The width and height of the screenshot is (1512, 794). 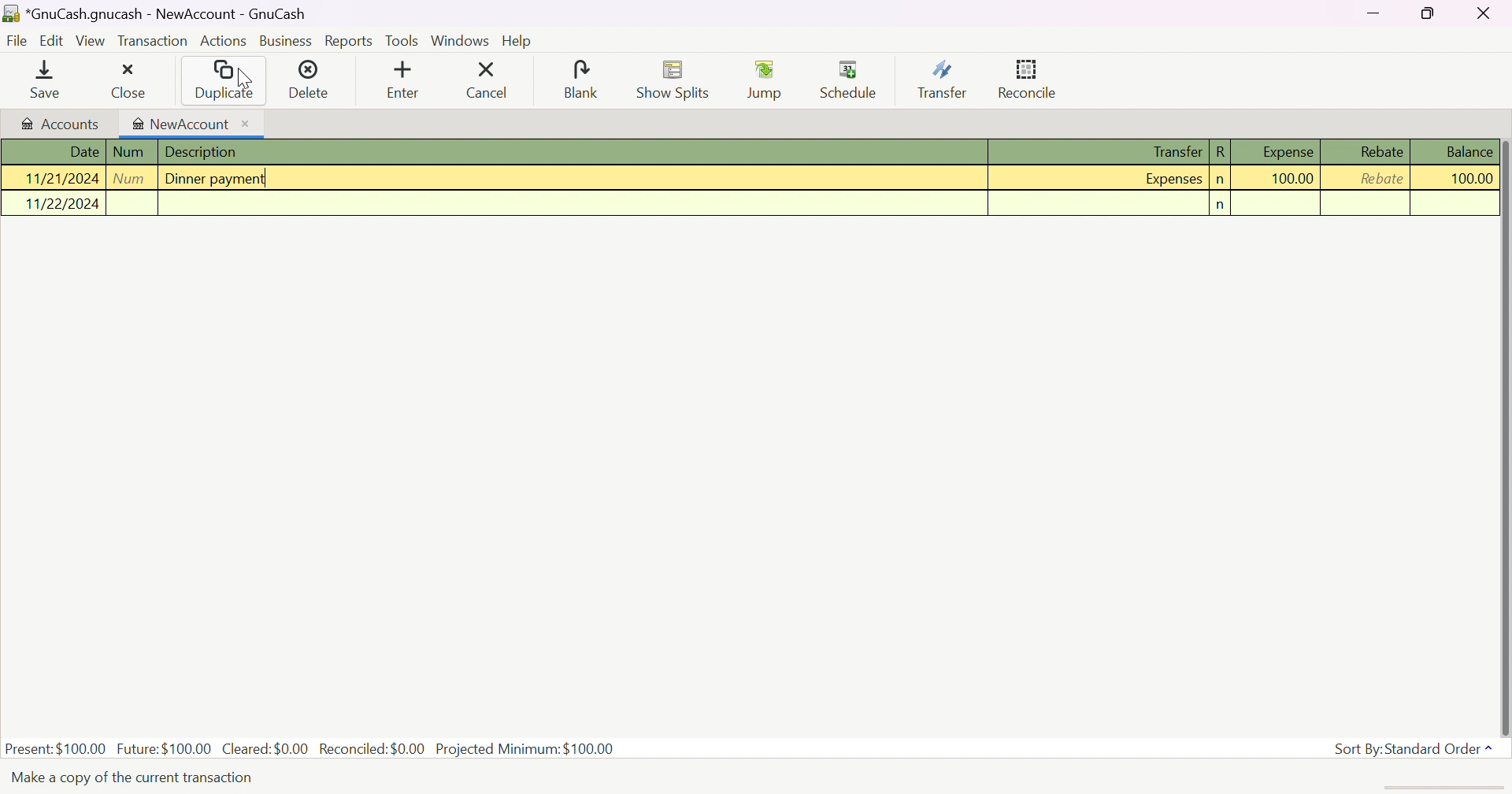 What do you see at coordinates (127, 83) in the screenshot?
I see `Close` at bounding box center [127, 83].